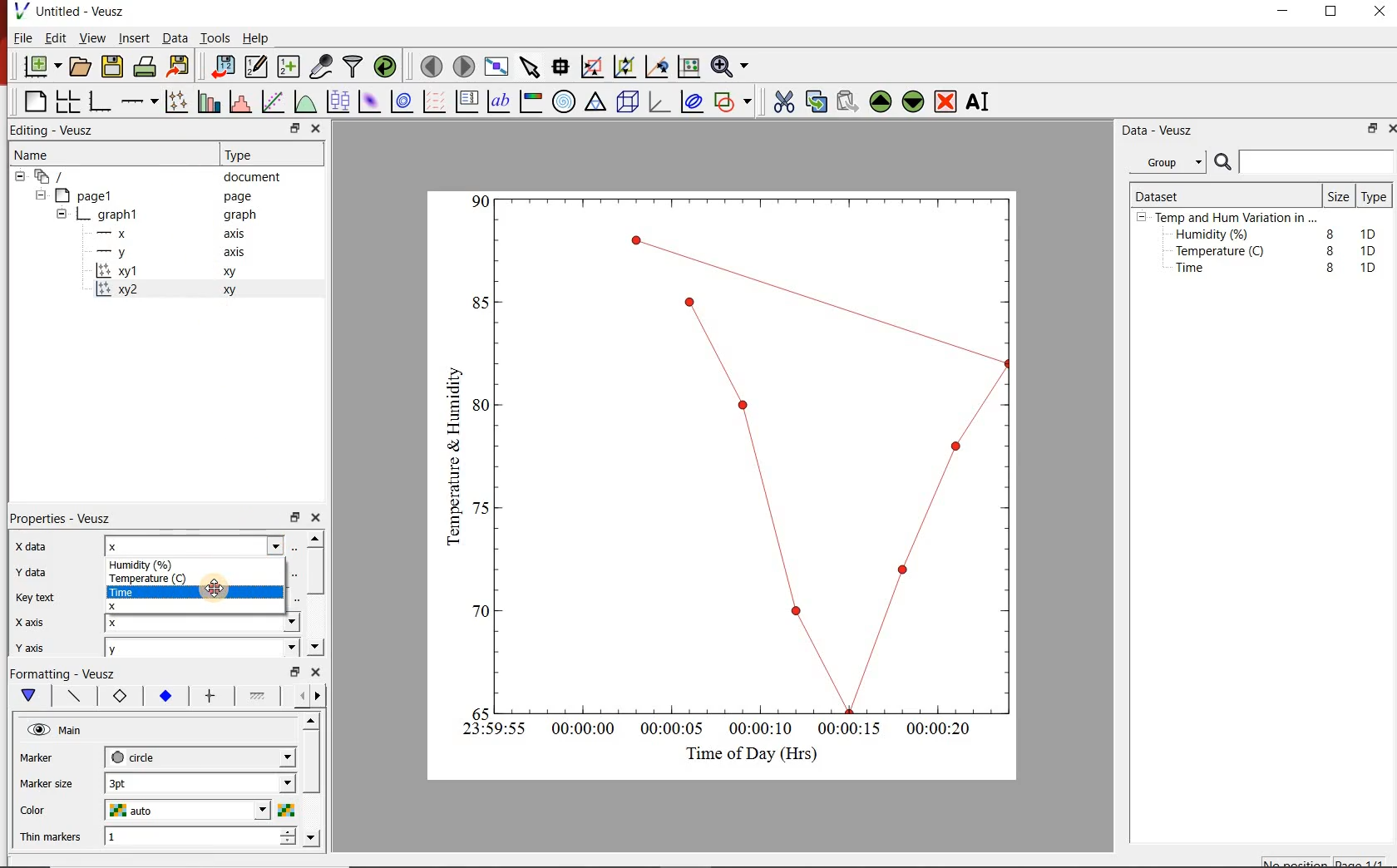  What do you see at coordinates (149, 545) in the screenshot?
I see `x` at bounding box center [149, 545].